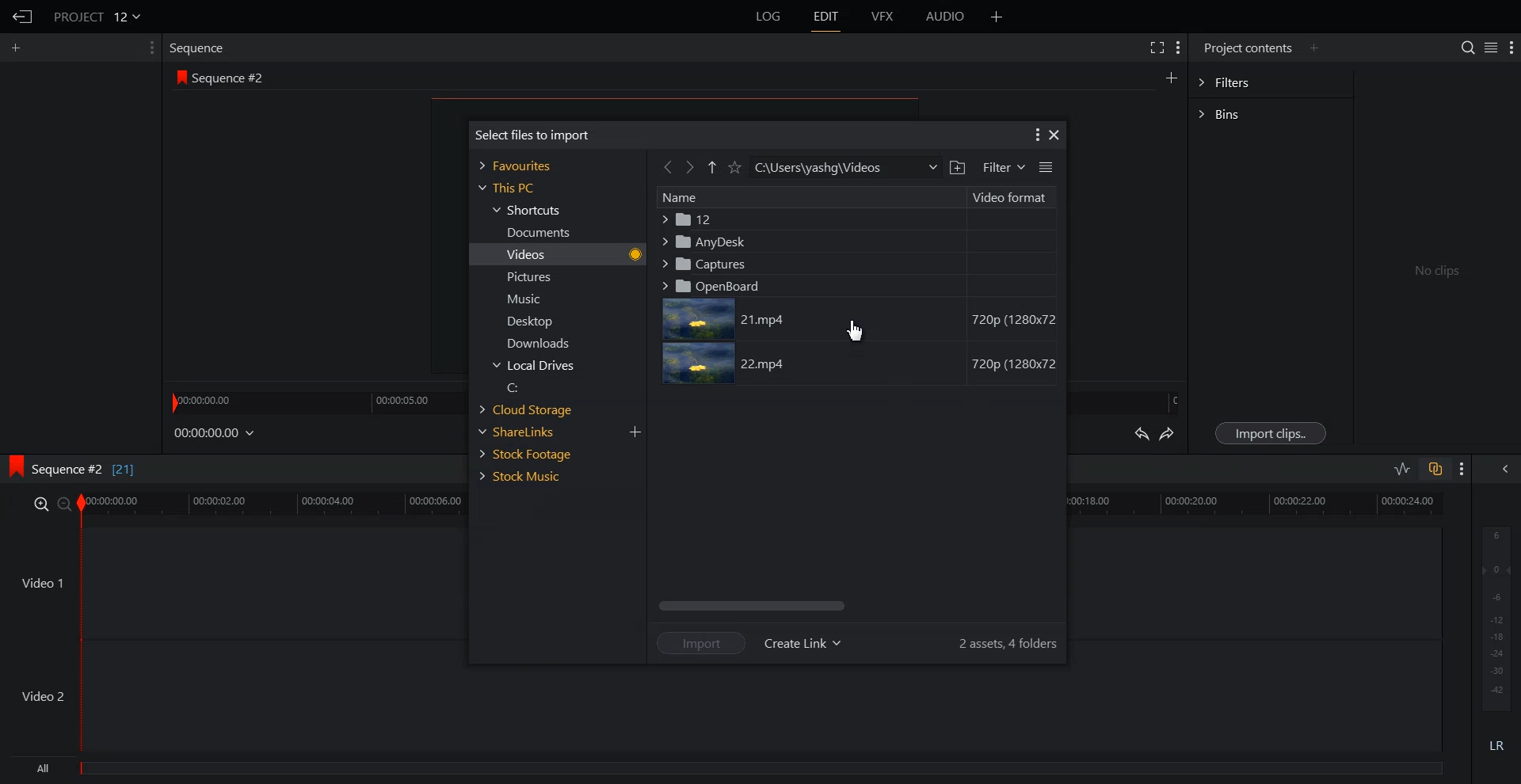 The width and height of the screenshot is (1521, 784). I want to click on Toggle Auto track Sync, so click(1434, 469).